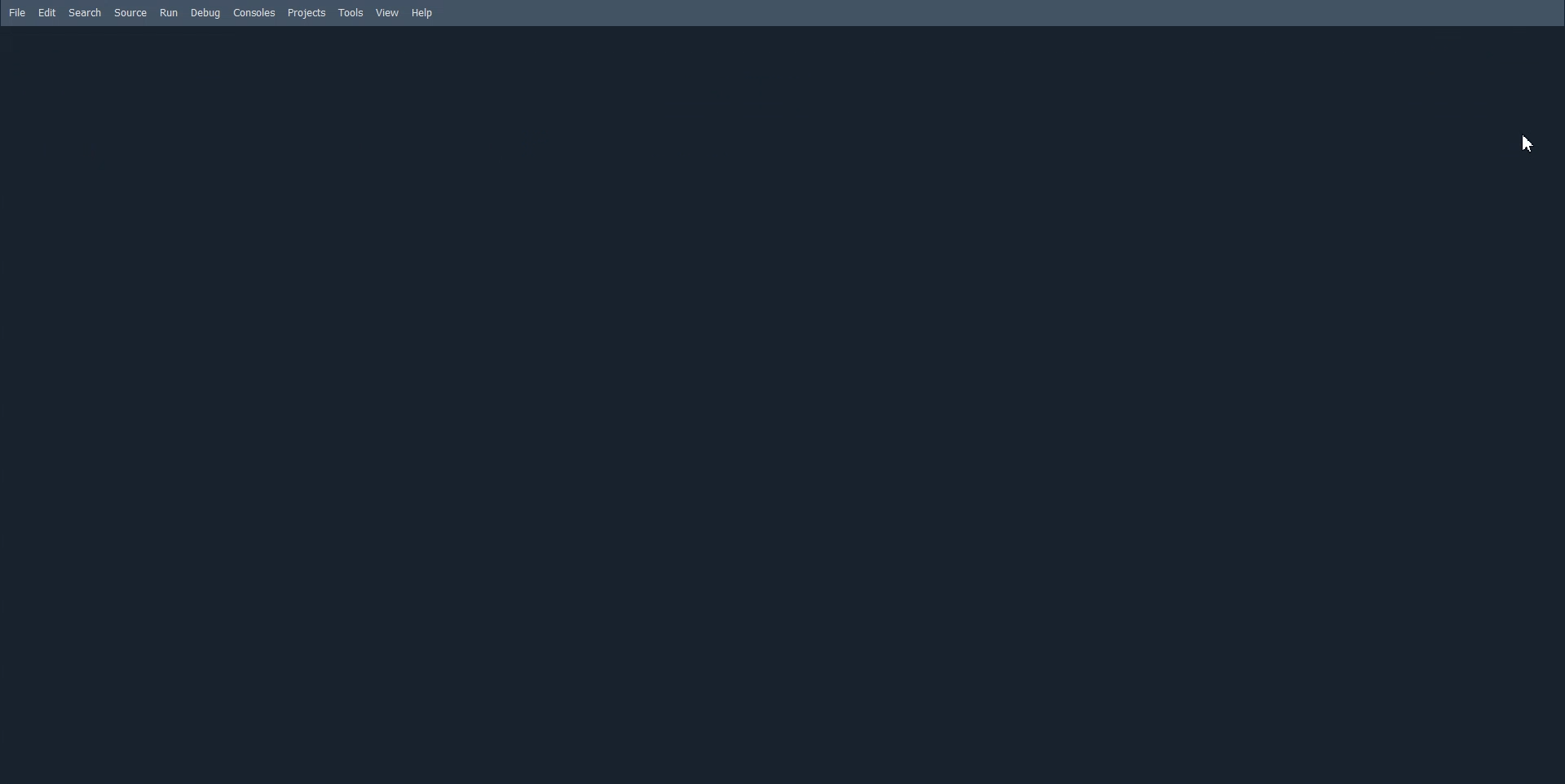  I want to click on Default Start Pane, so click(782, 405).